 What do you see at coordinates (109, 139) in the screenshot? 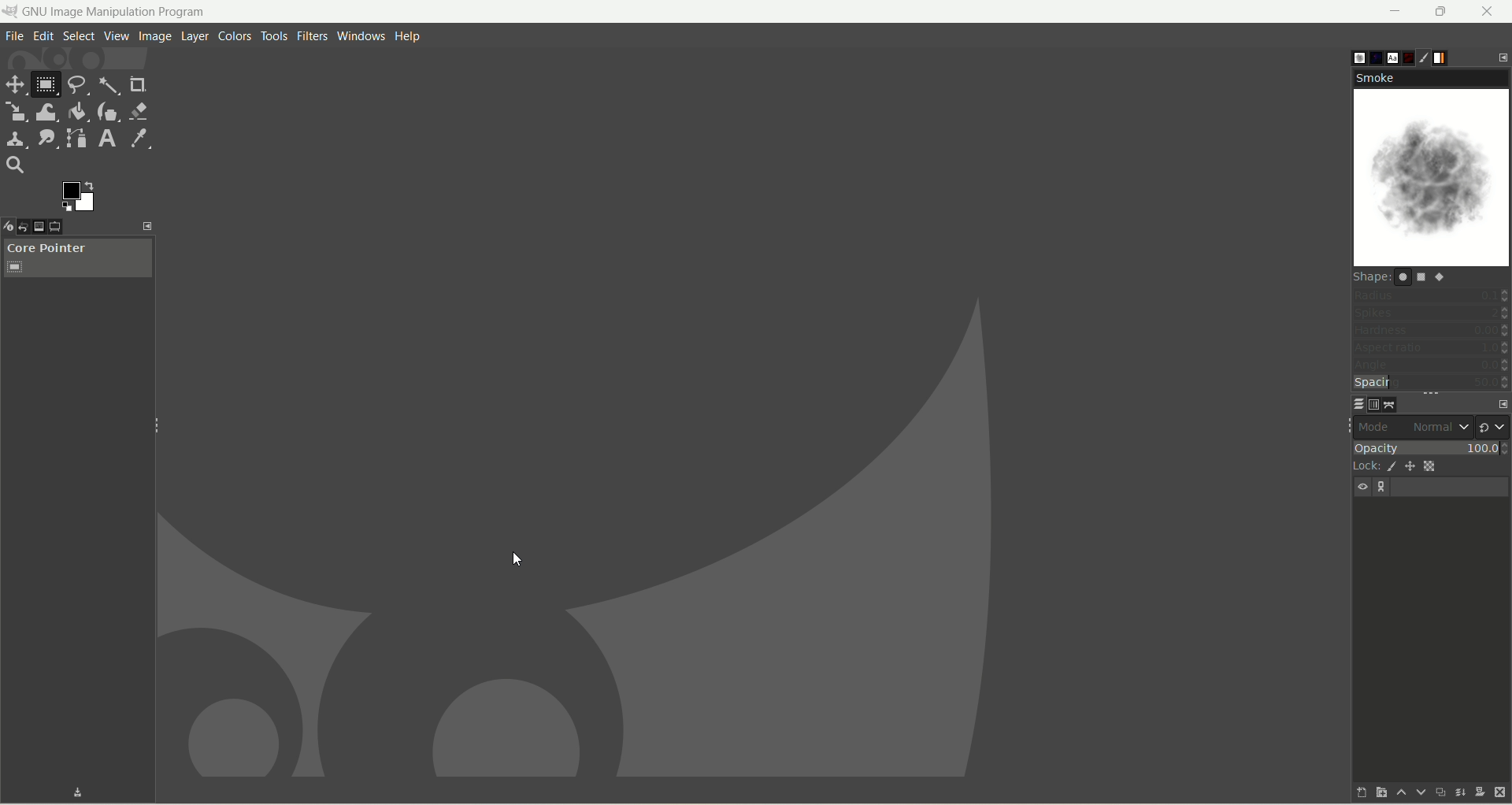
I see `text tool` at bounding box center [109, 139].